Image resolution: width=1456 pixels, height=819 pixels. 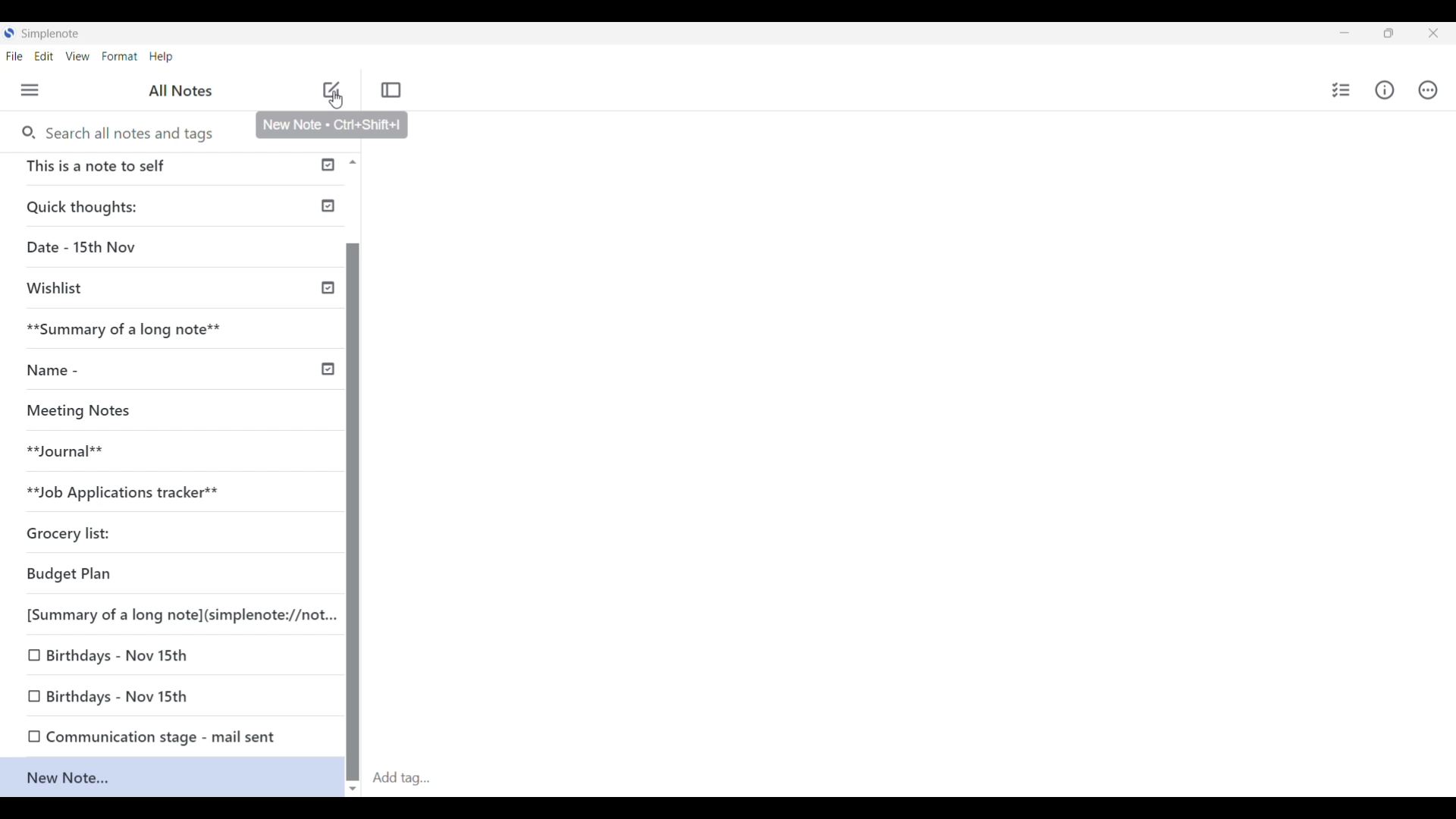 I want to click on Format menu, so click(x=121, y=57).